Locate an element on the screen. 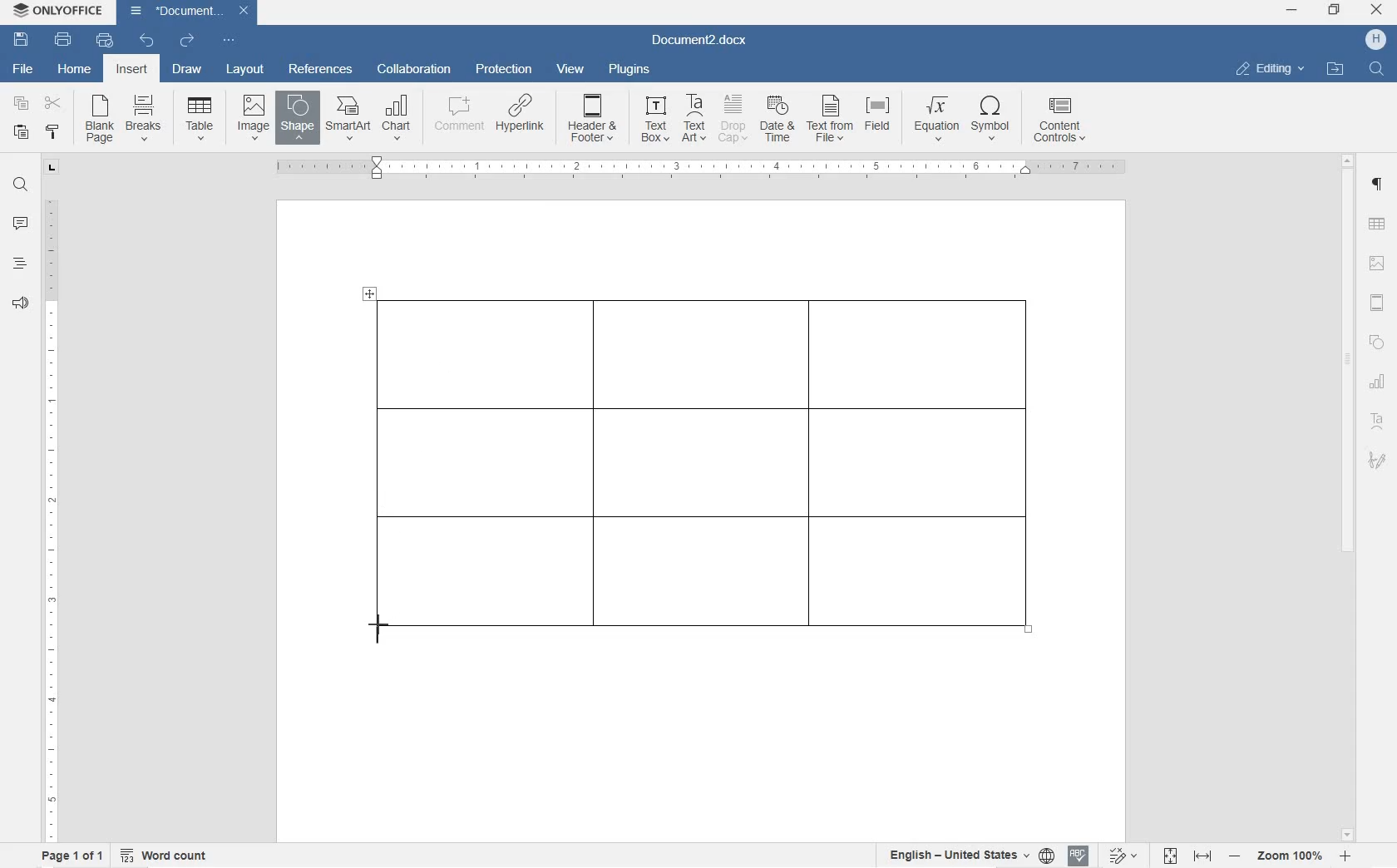 The image size is (1397, 868). SmartArt is located at coordinates (348, 118).